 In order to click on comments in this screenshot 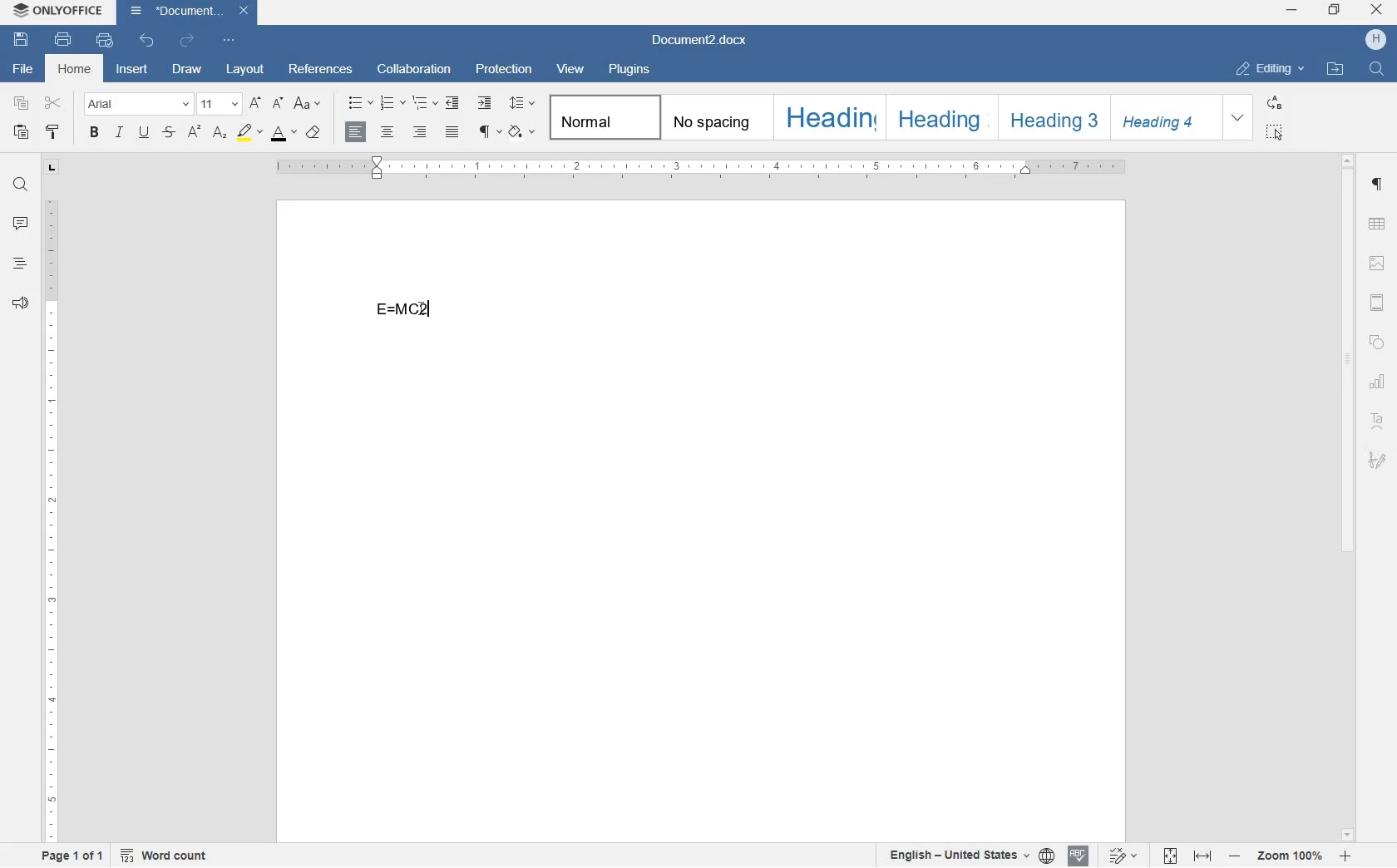, I will do `click(20, 224)`.